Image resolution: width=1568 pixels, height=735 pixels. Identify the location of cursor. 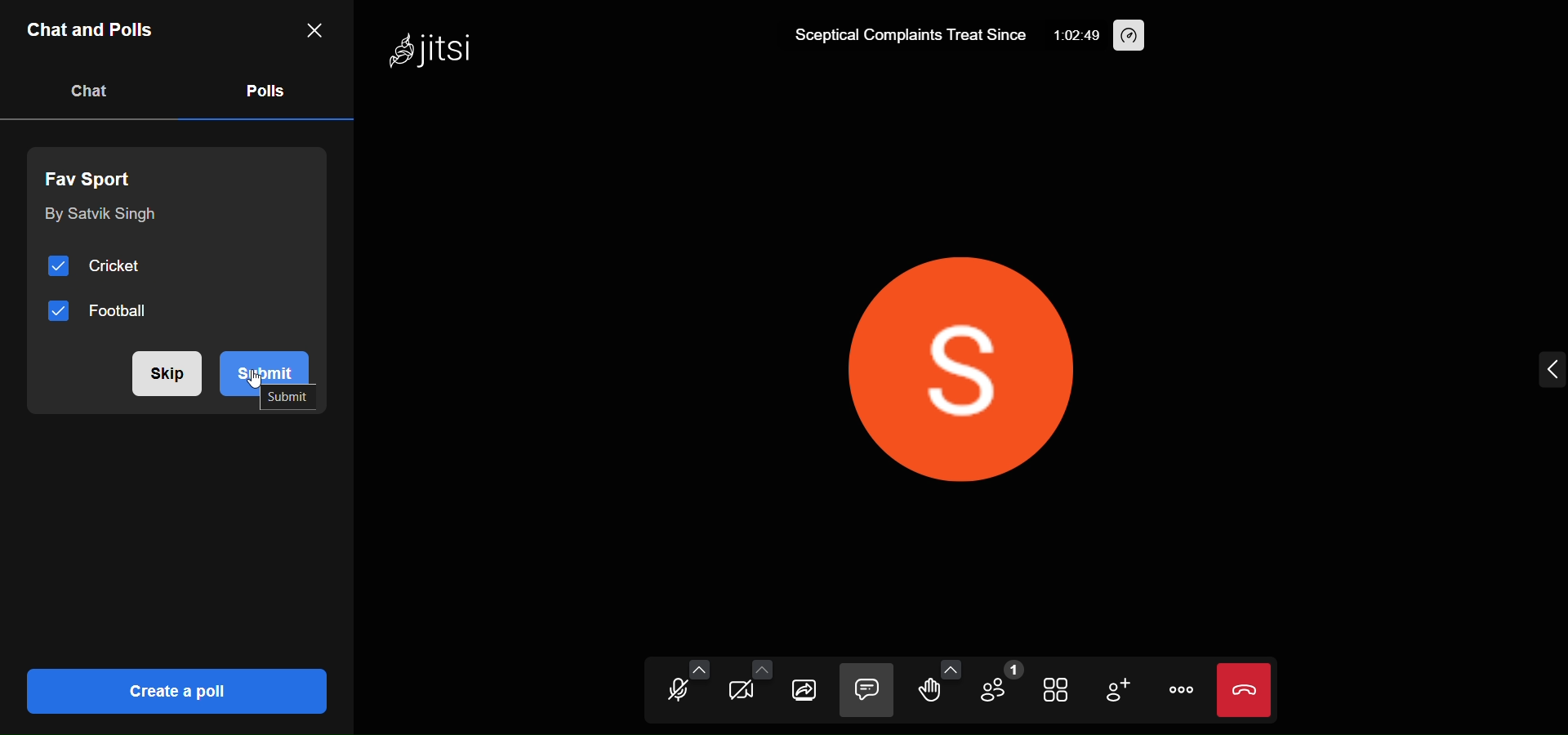
(260, 383).